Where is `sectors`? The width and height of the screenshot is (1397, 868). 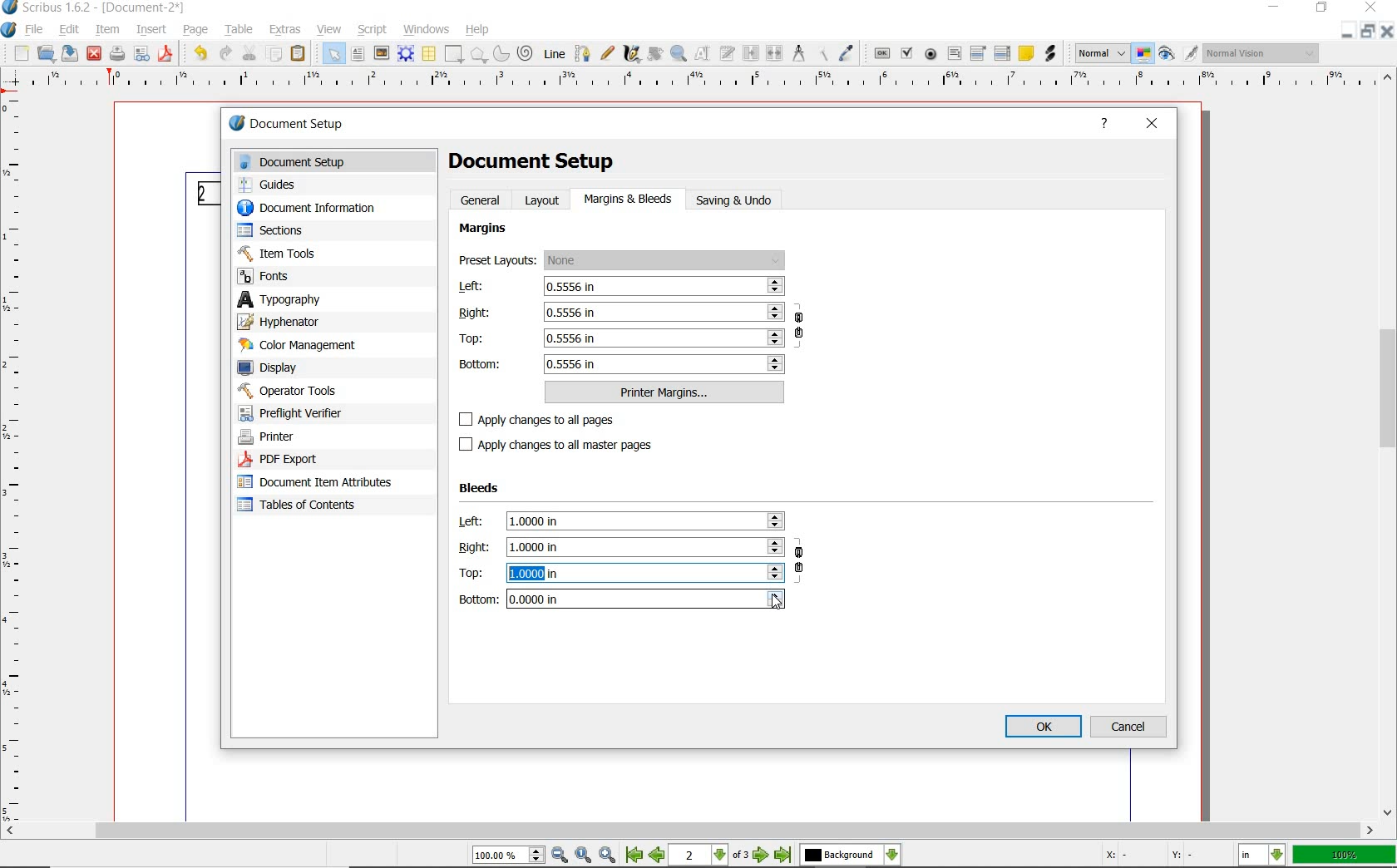 sectors is located at coordinates (275, 232).